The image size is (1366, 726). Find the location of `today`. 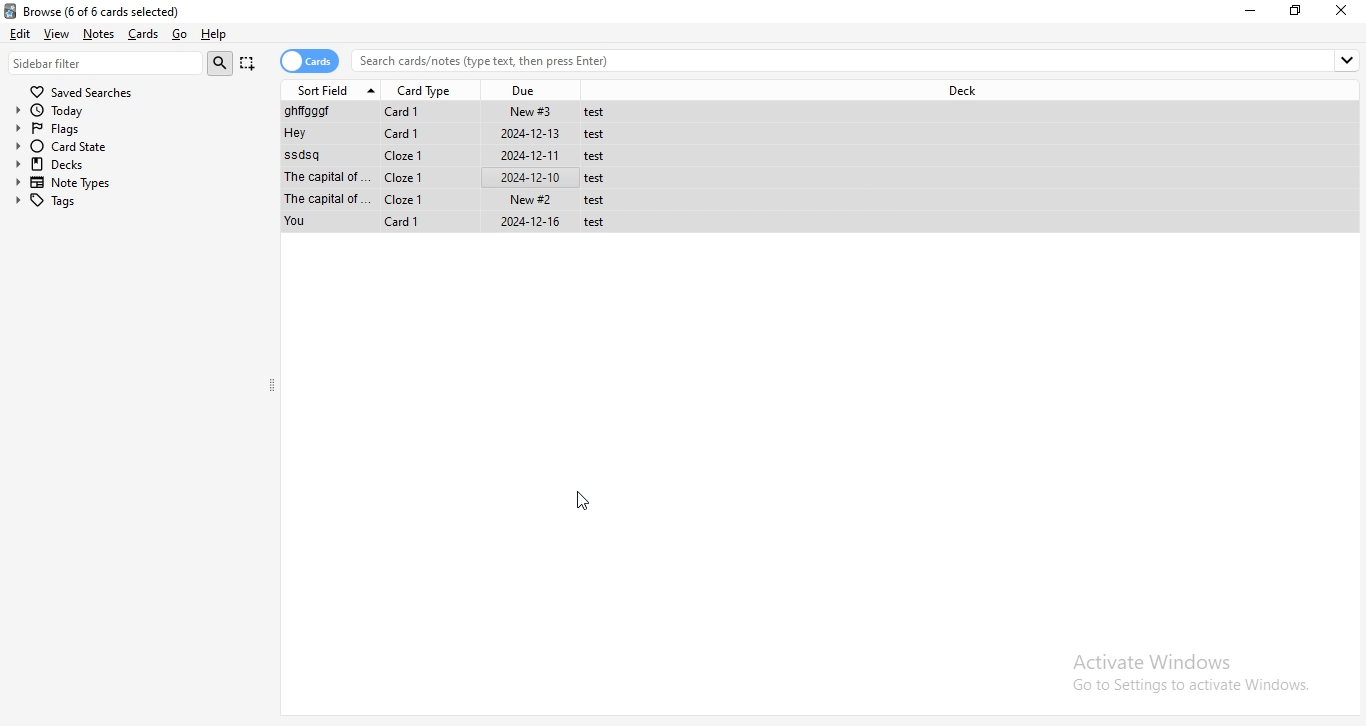

today is located at coordinates (131, 111).